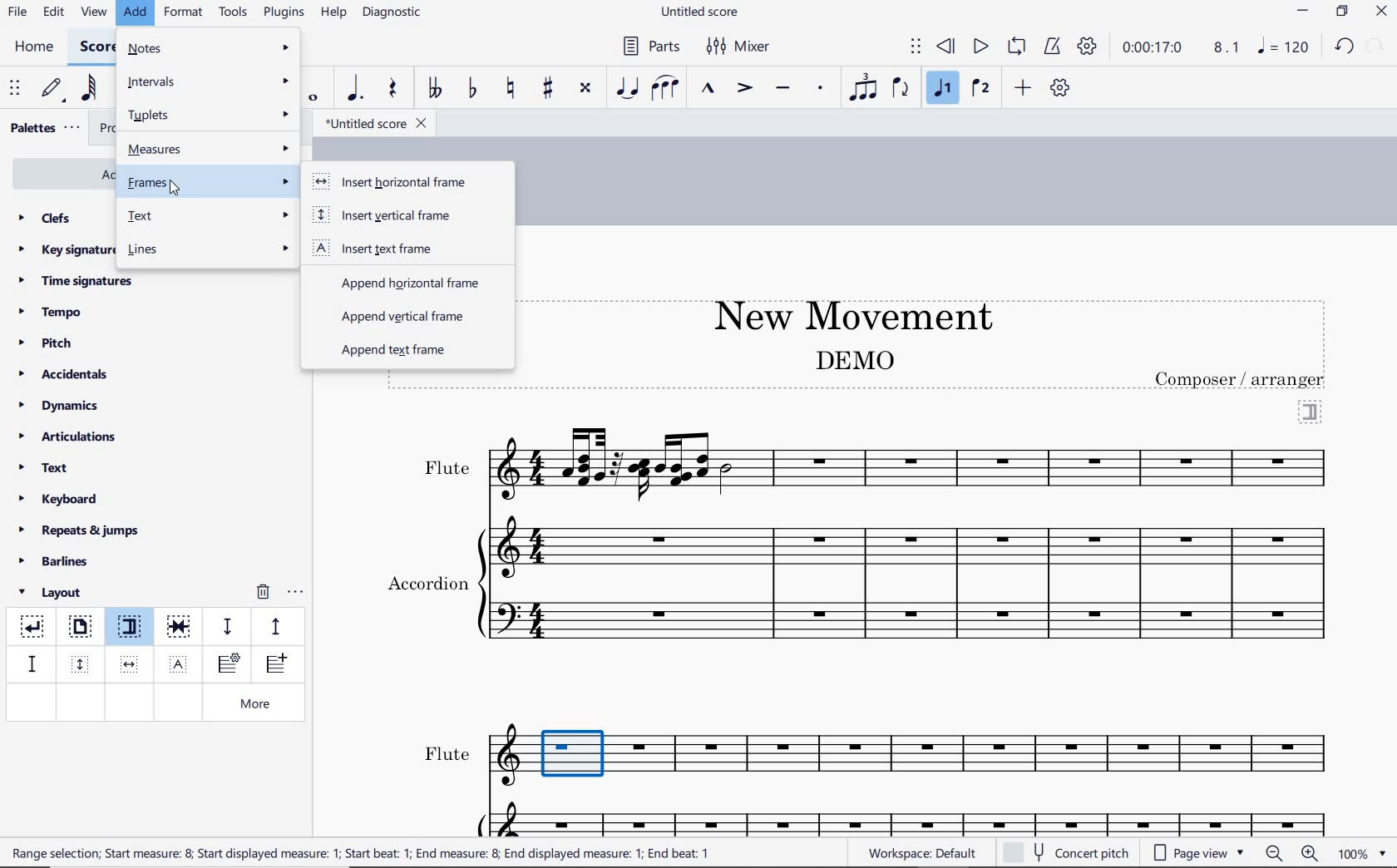 The image size is (1397, 868). Describe the element at coordinates (180, 627) in the screenshot. I see `keep measure on the same system` at that location.